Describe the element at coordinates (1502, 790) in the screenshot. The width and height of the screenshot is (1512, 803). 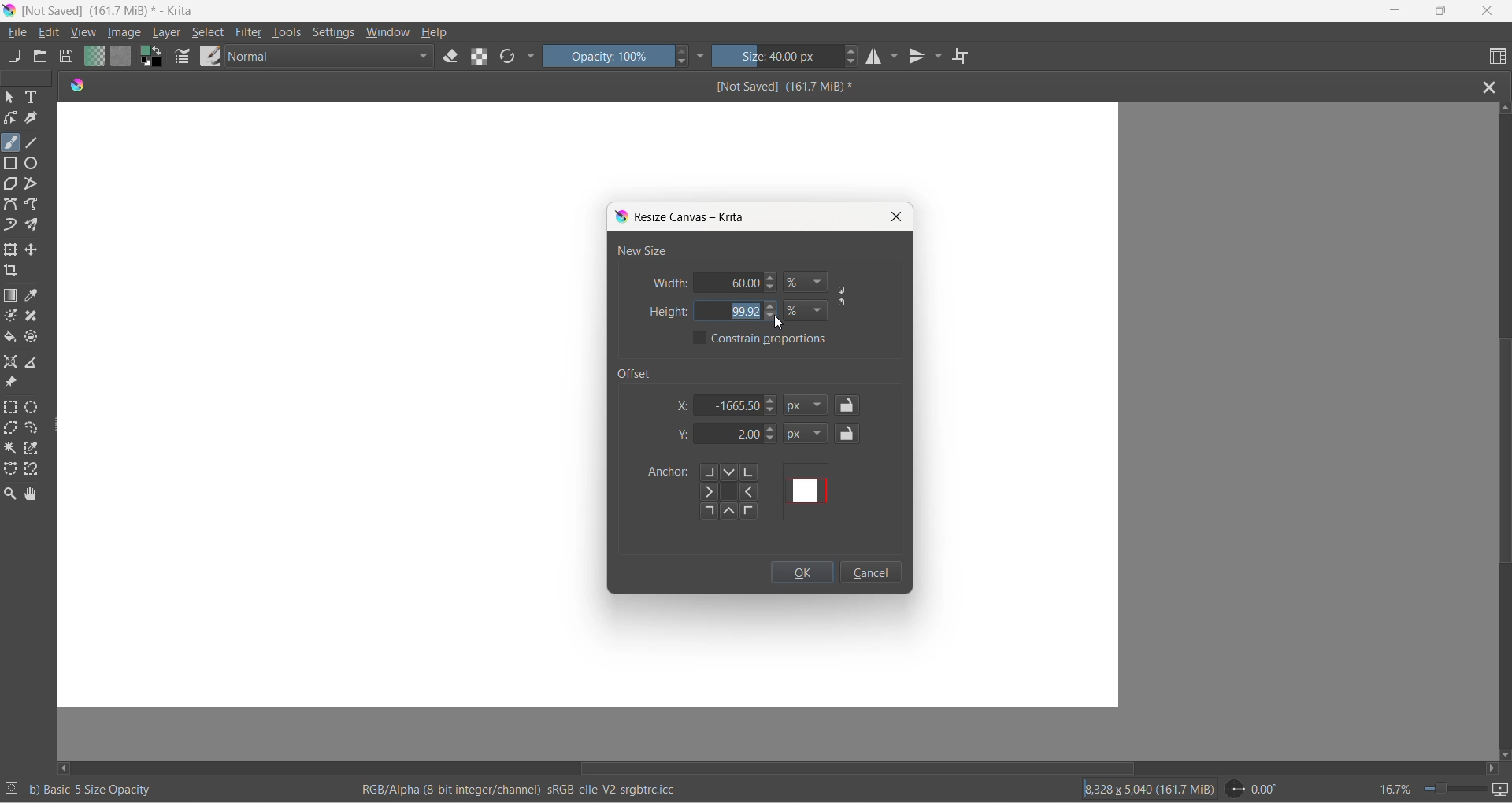
I see `slideshow` at that location.